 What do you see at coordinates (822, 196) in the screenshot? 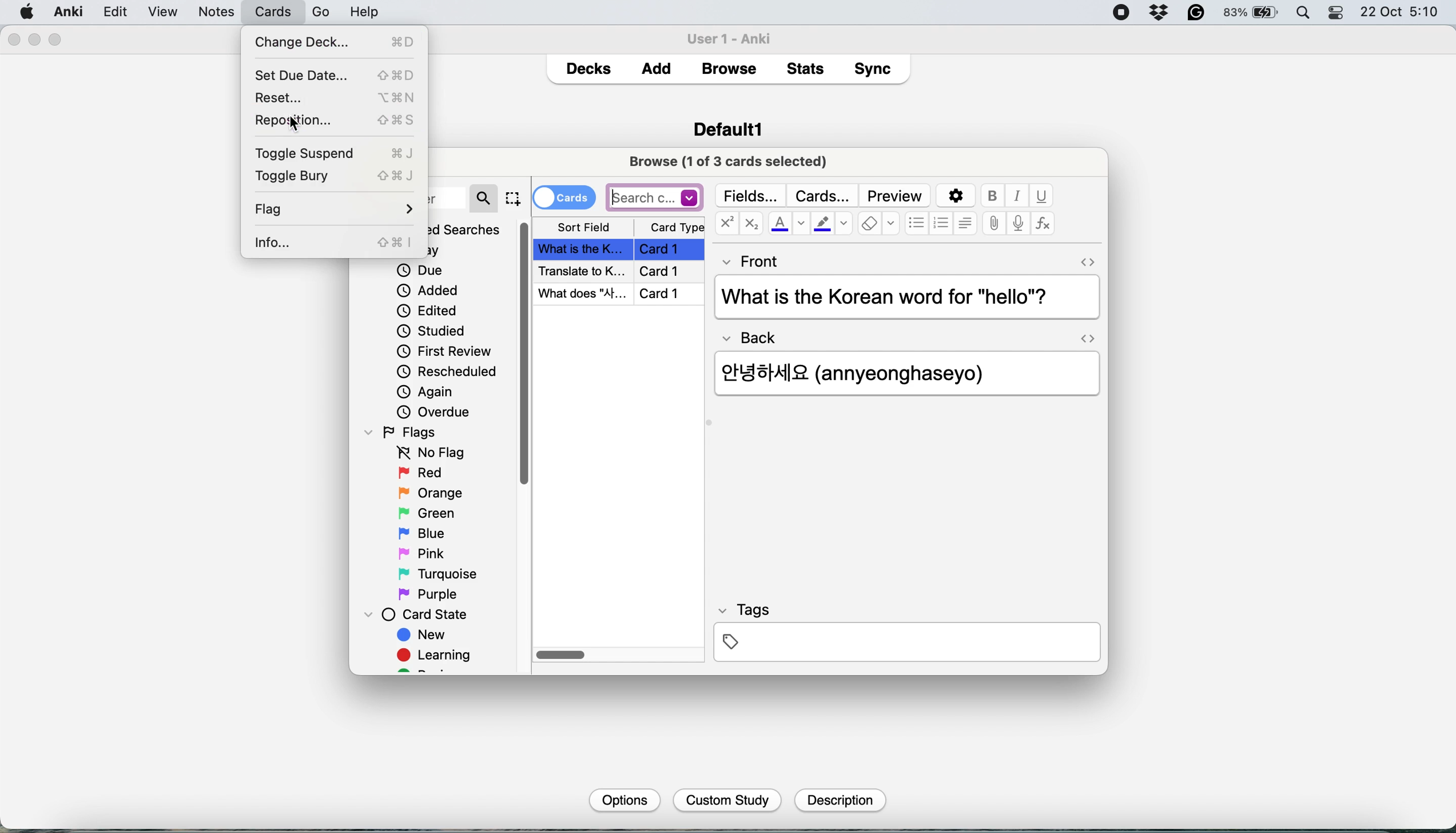
I see `cards` at bounding box center [822, 196].